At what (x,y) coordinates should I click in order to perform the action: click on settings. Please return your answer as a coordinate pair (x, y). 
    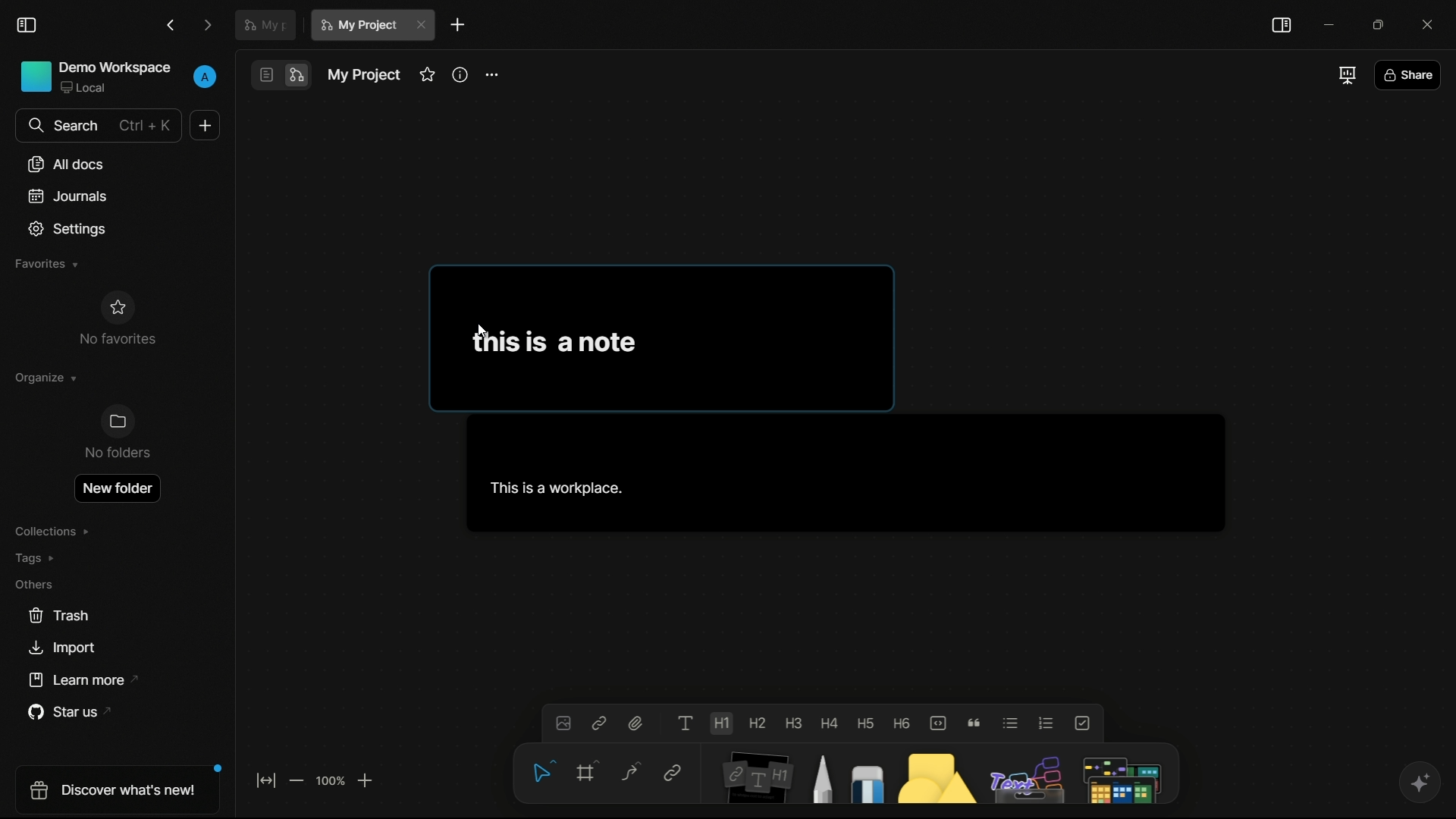
    Looking at the image, I should click on (70, 228).